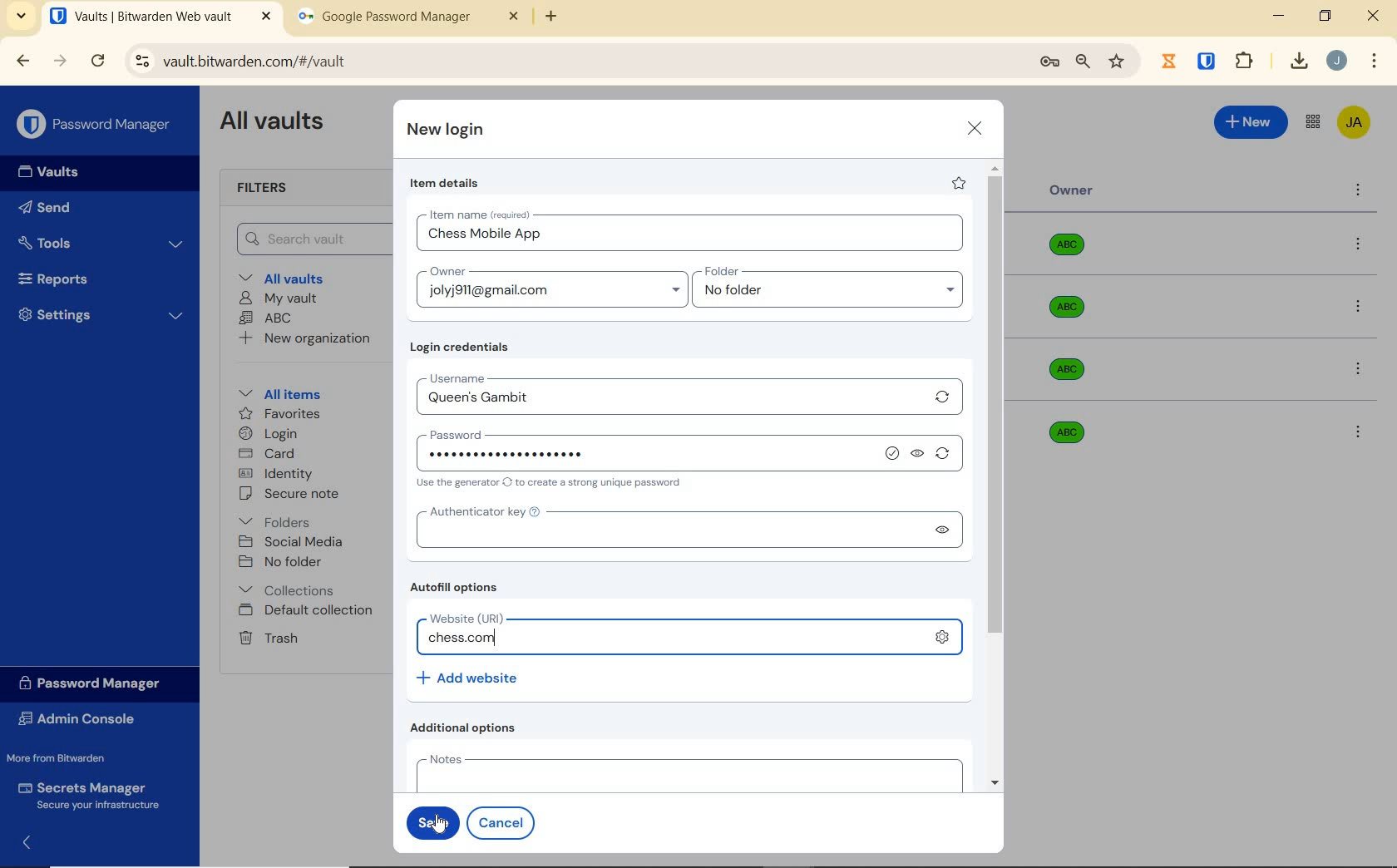  What do you see at coordinates (101, 313) in the screenshot?
I see `Settings` at bounding box center [101, 313].